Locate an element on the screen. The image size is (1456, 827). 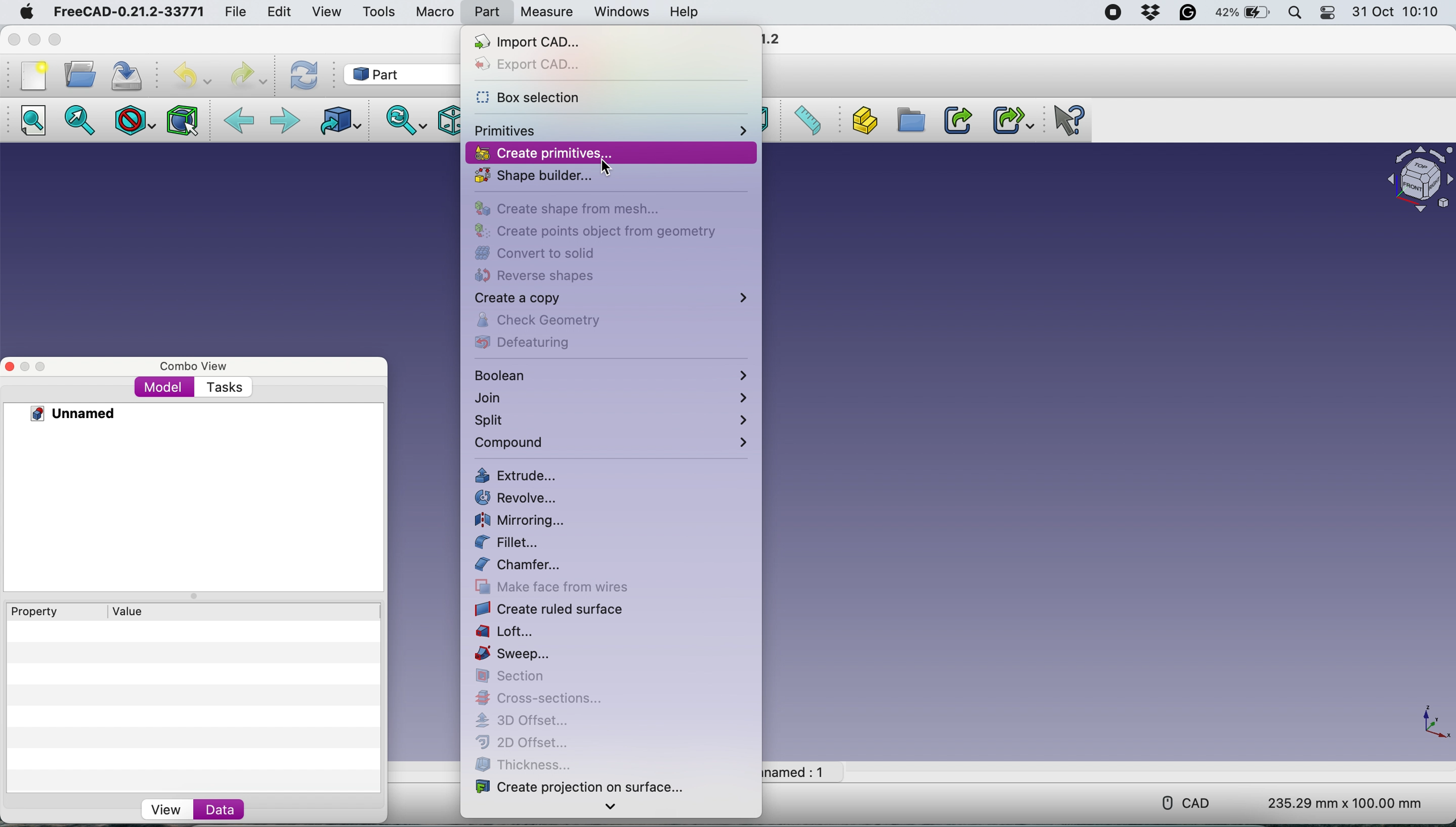
Fit selection is located at coordinates (76, 119).